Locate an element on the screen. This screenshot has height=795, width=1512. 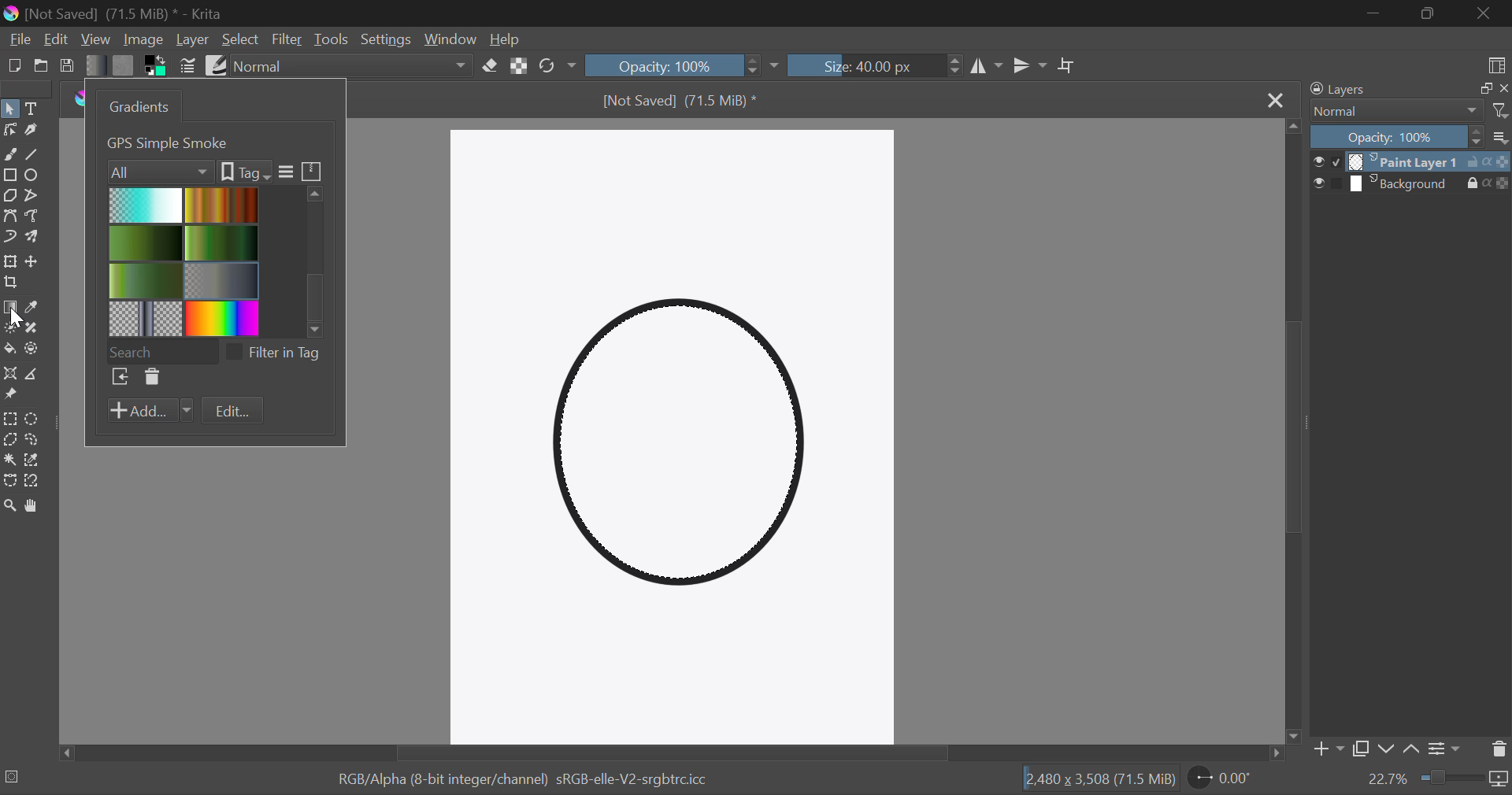
Save is located at coordinates (68, 66).